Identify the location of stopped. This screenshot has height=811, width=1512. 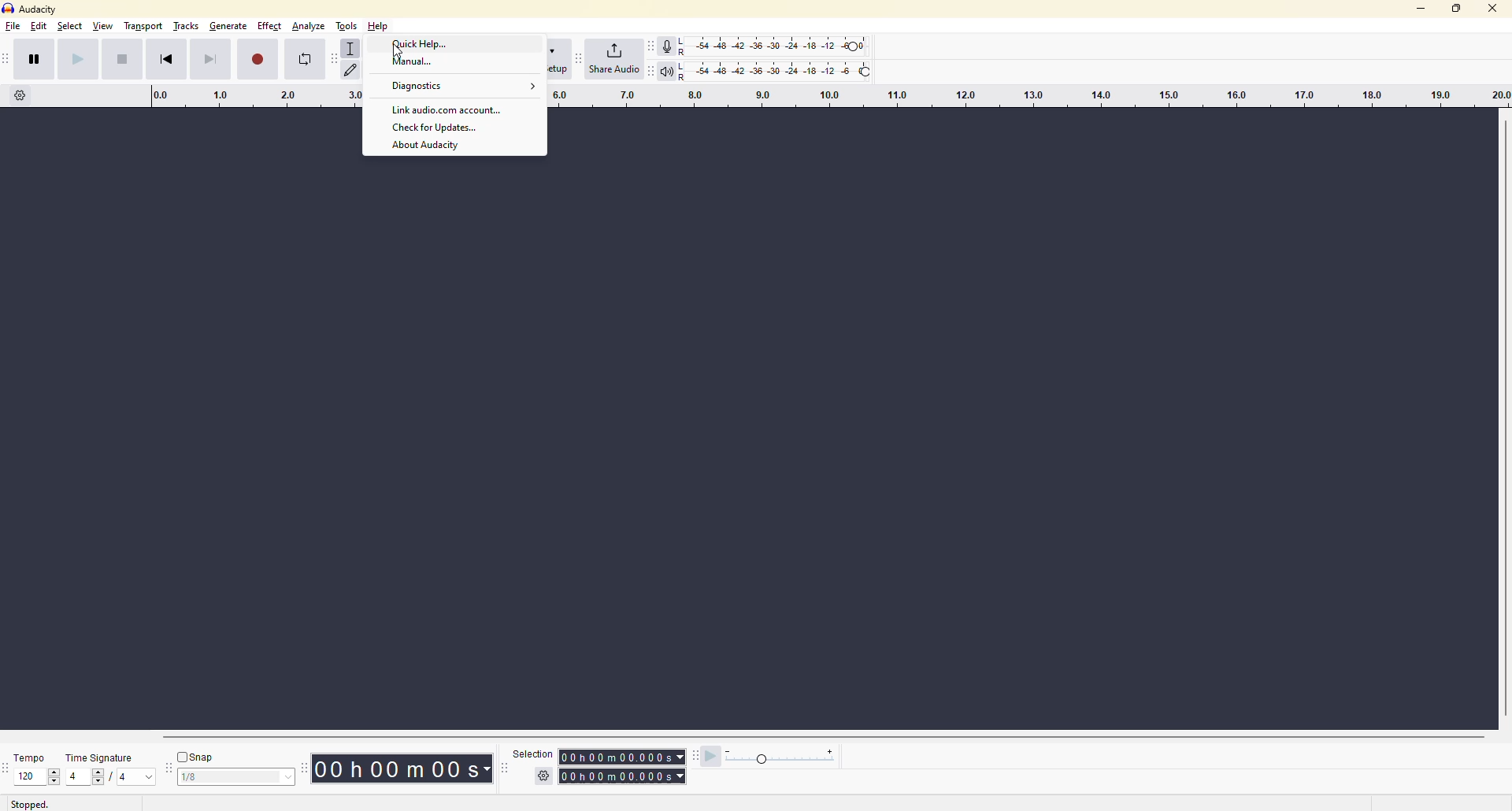
(30, 803).